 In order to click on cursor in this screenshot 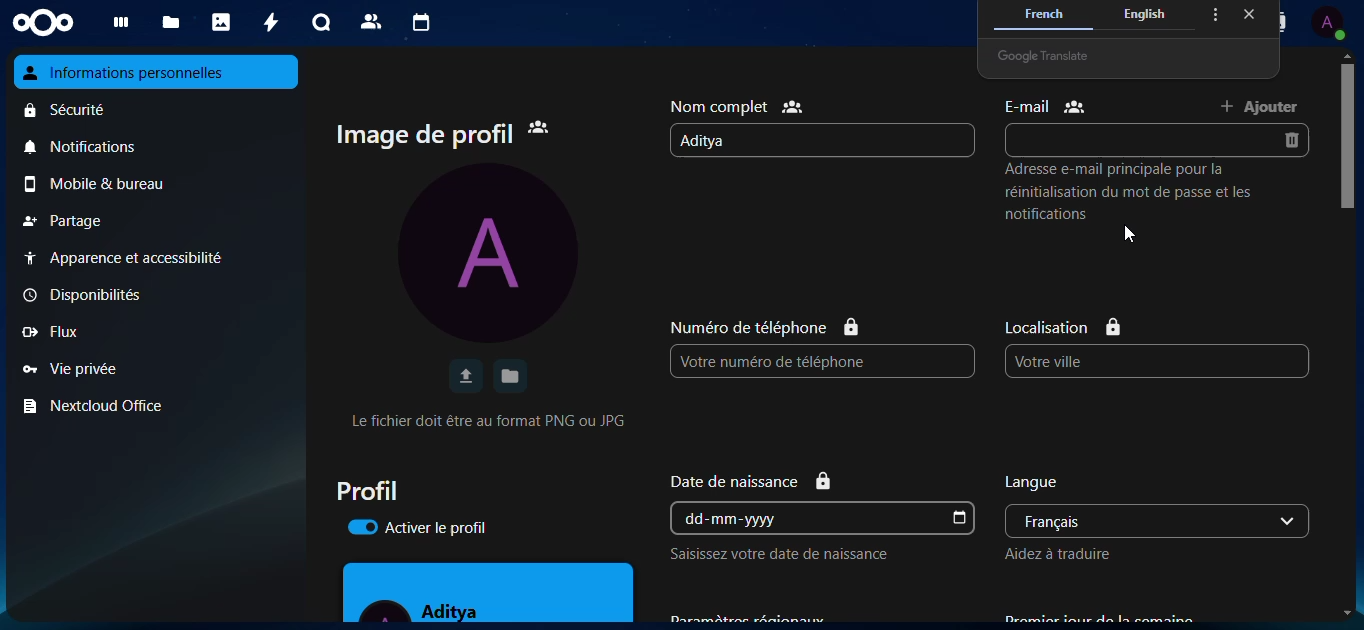, I will do `click(1132, 235)`.